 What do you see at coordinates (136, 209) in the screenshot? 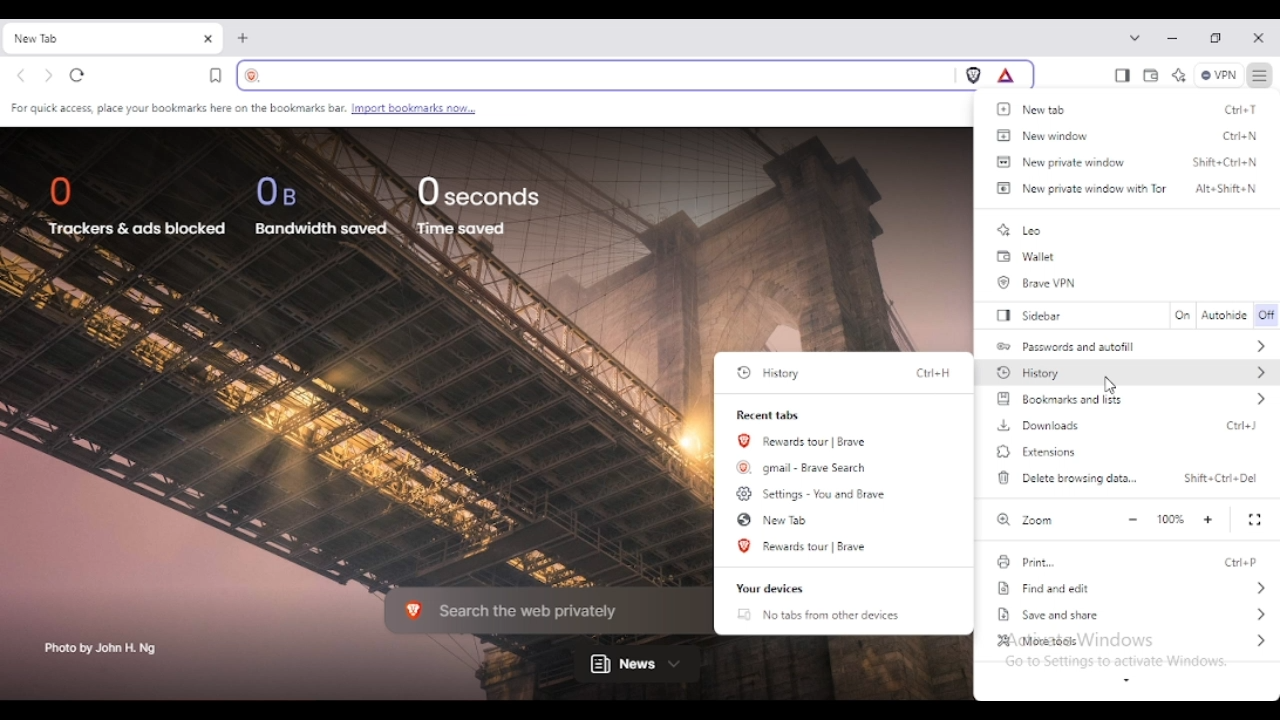
I see `0 trackers & ads blocked` at bounding box center [136, 209].